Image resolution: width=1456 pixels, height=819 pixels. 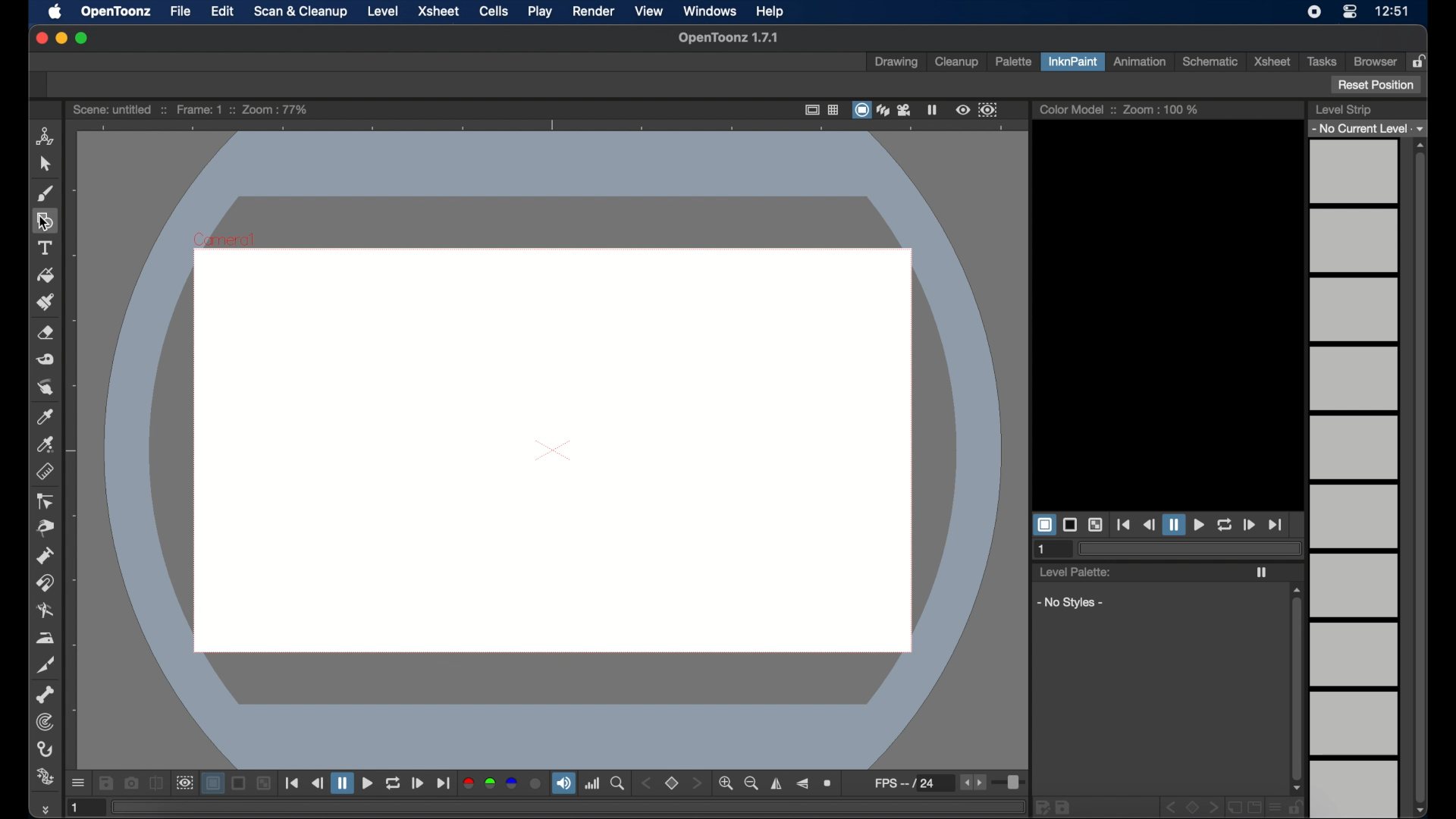 I want to click on magnet tool, so click(x=45, y=583).